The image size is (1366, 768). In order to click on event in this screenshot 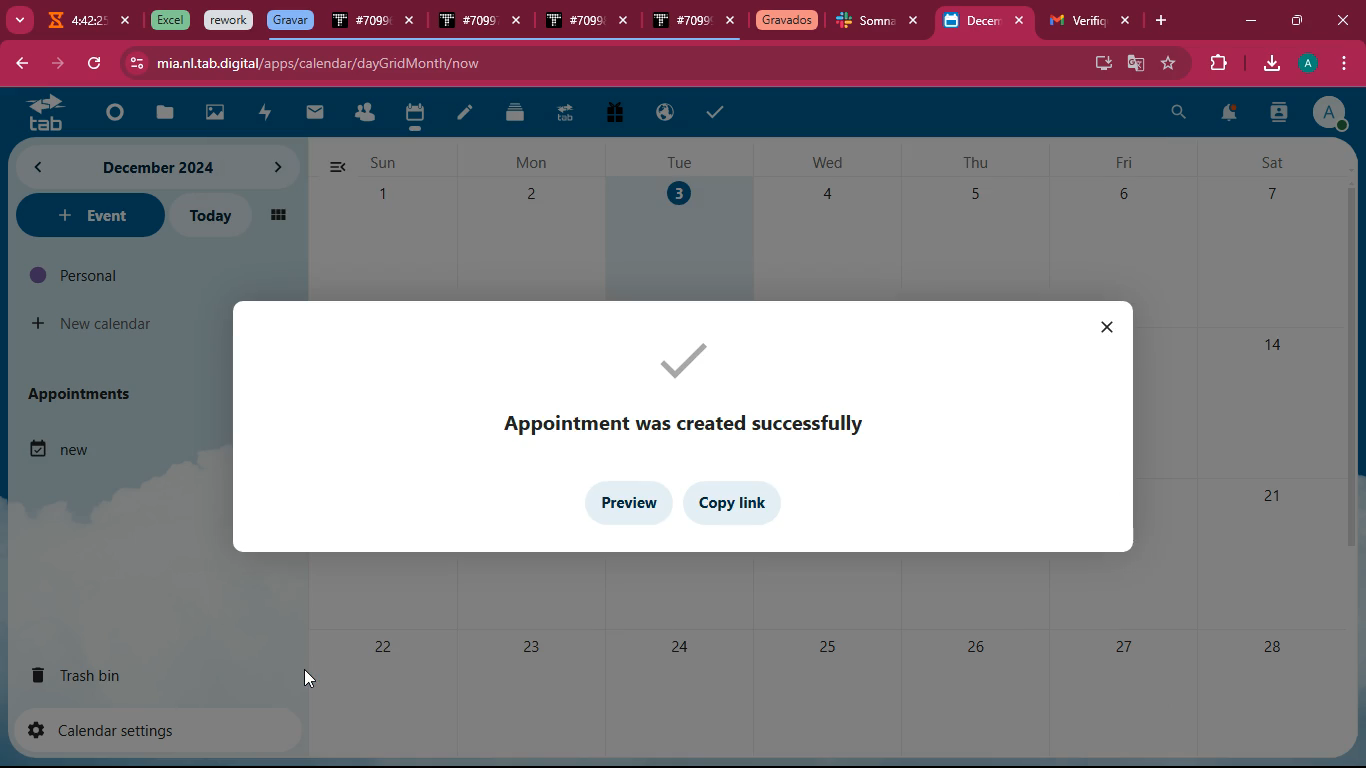, I will do `click(88, 215)`.